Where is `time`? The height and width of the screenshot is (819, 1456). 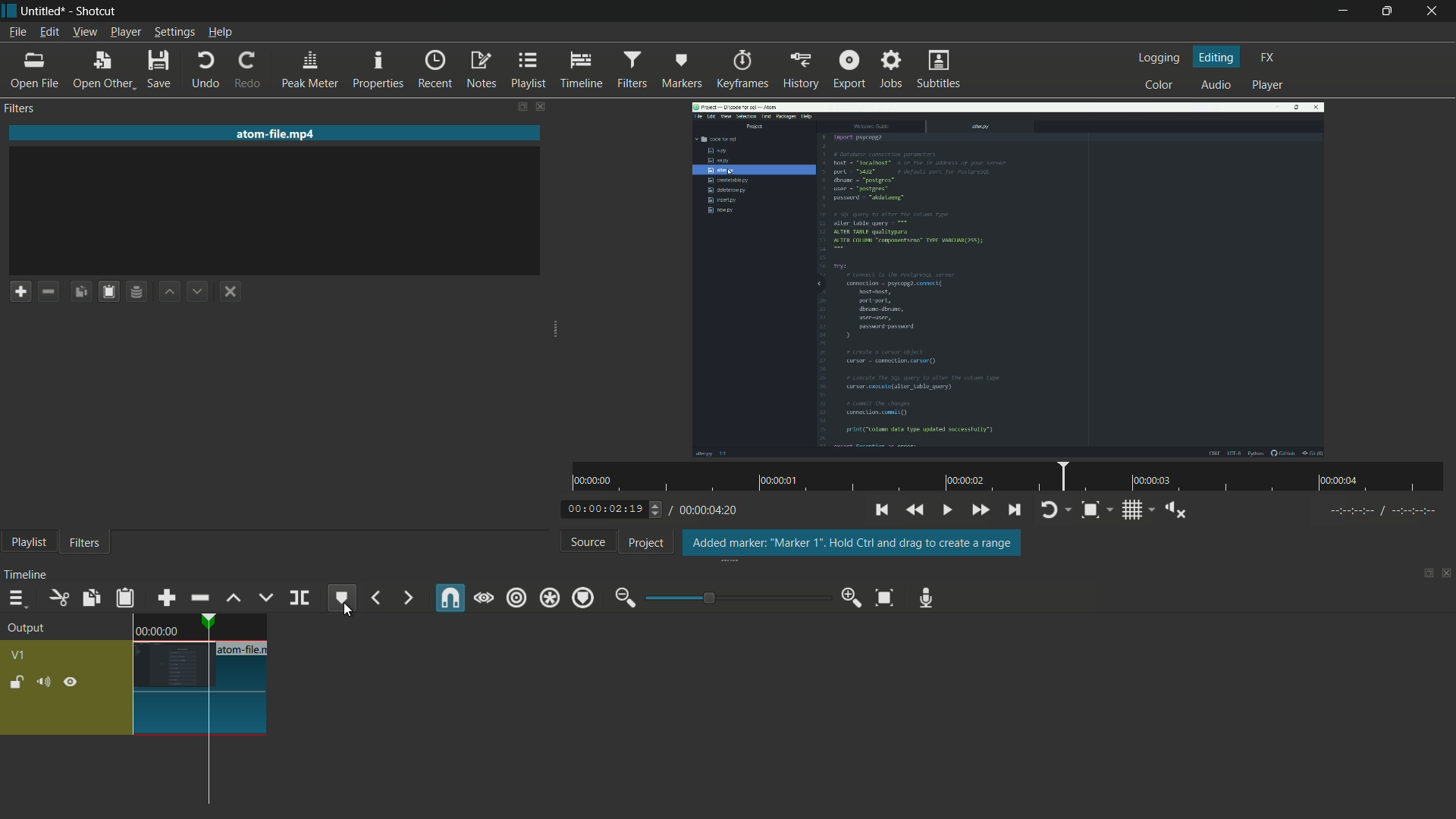
time is located at coordinates (1013, 476).